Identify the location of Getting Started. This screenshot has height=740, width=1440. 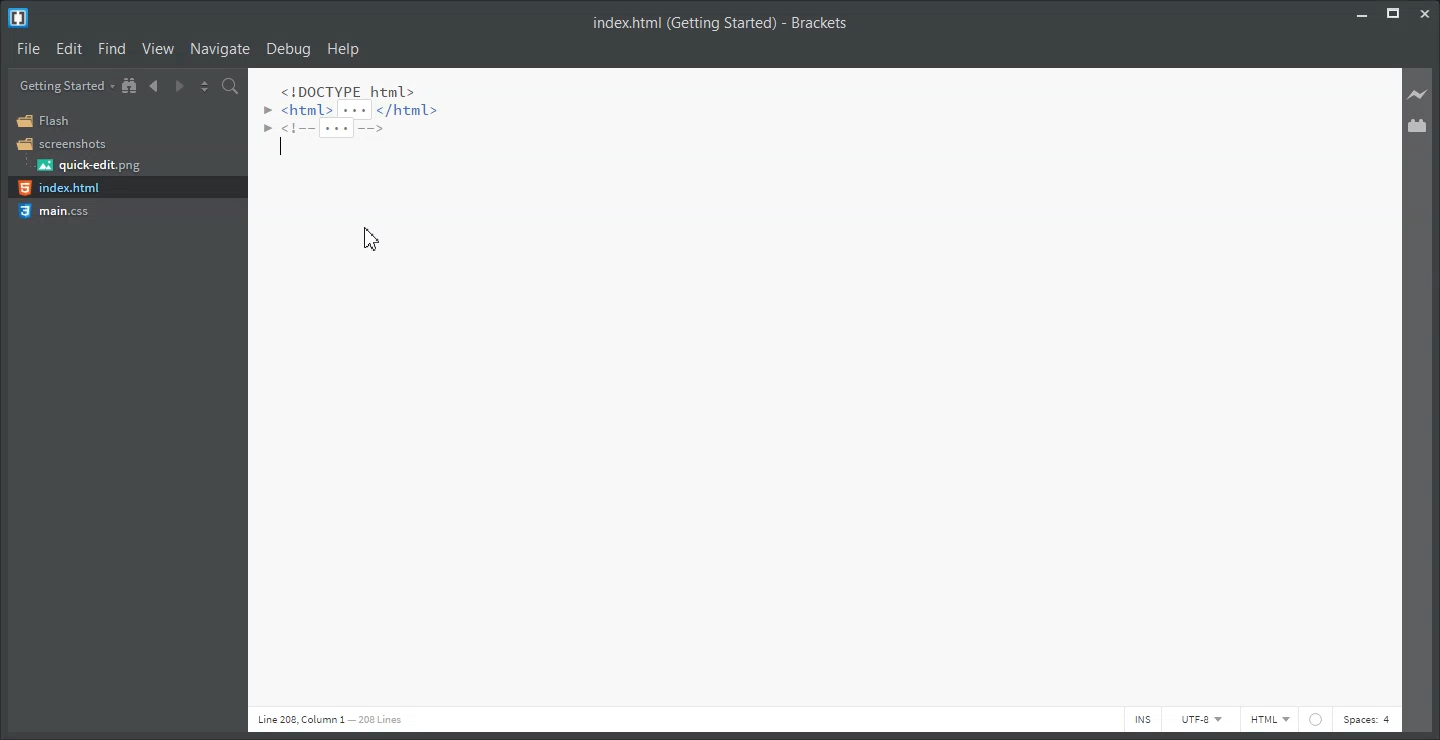
(66, 86).